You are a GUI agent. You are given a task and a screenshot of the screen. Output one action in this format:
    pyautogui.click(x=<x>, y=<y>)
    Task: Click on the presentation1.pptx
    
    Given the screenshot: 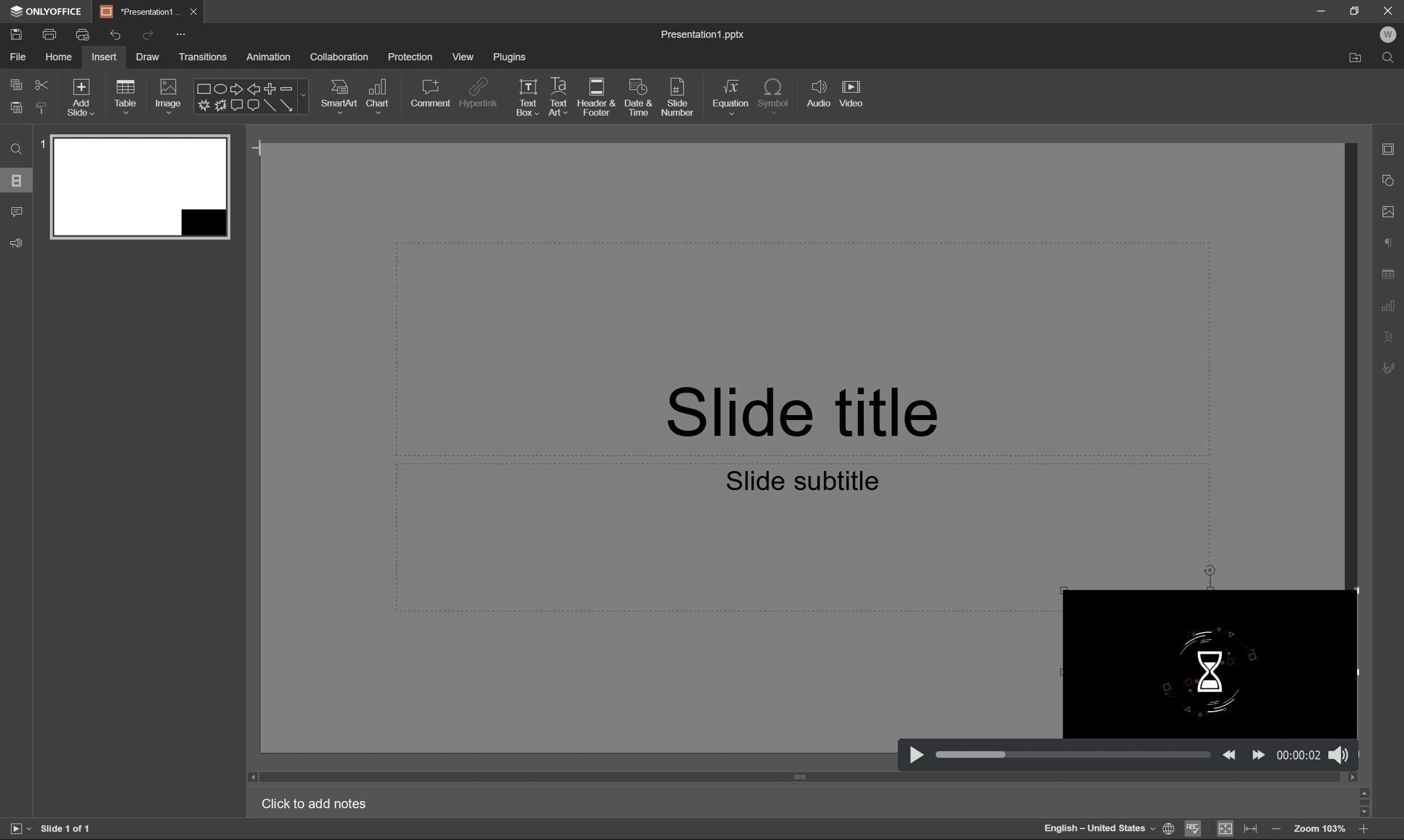 What is the action you would take?
    pyautogui.click(x=701, y=35)
    